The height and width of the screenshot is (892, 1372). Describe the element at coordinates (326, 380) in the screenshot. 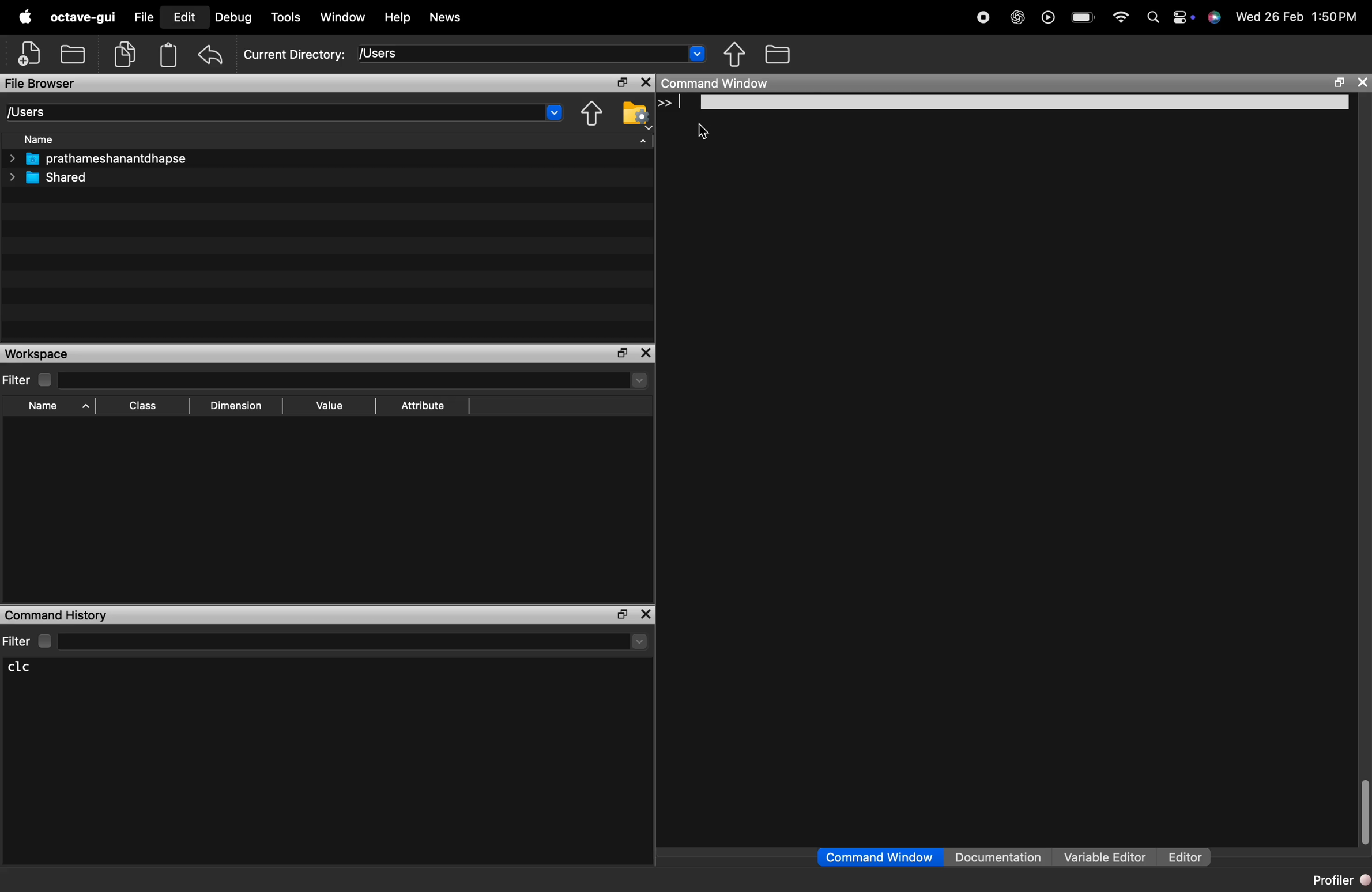

I see `filter` at that location.